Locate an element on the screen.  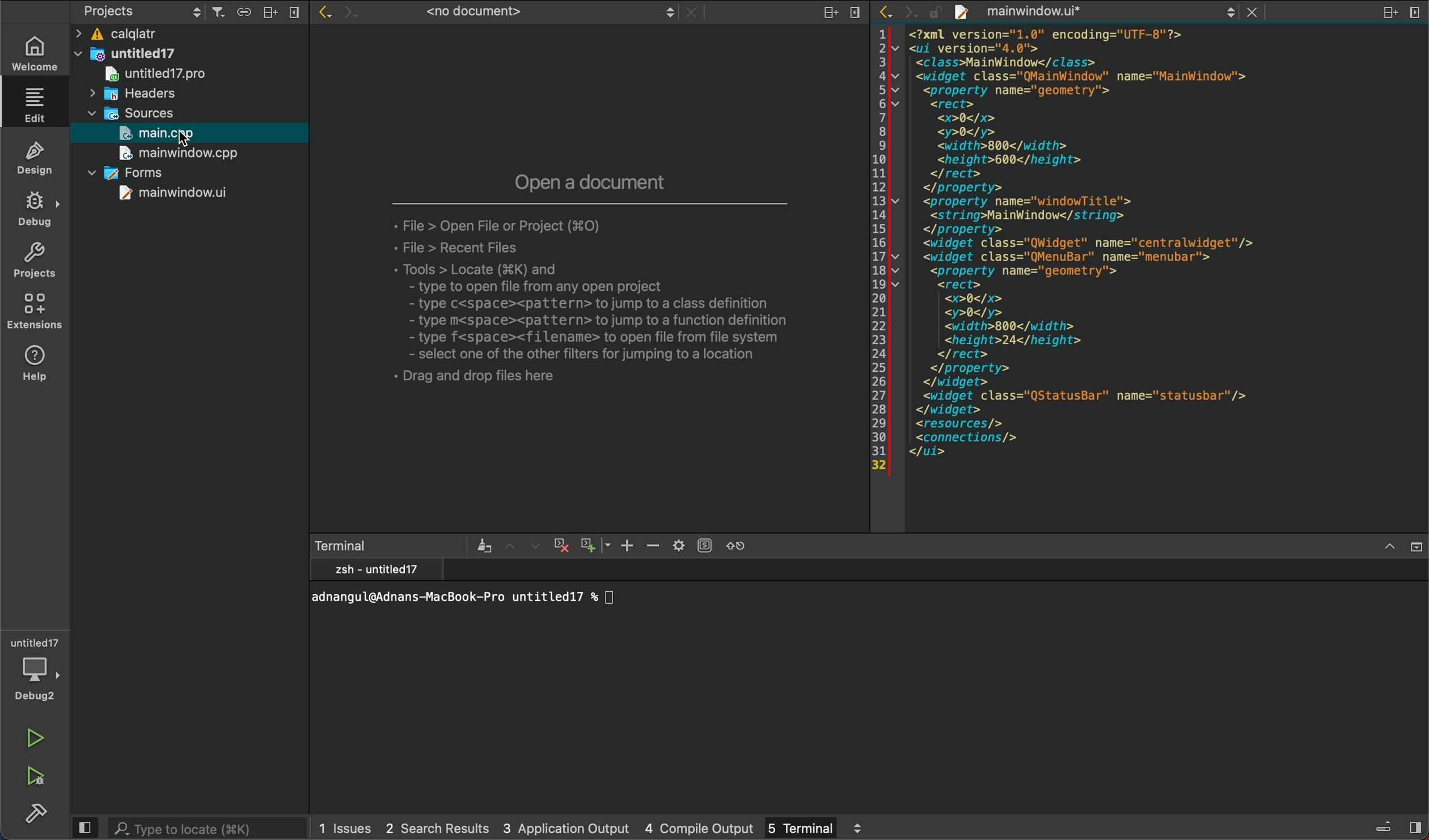
calqlatr is located at coordinates (161, 35).